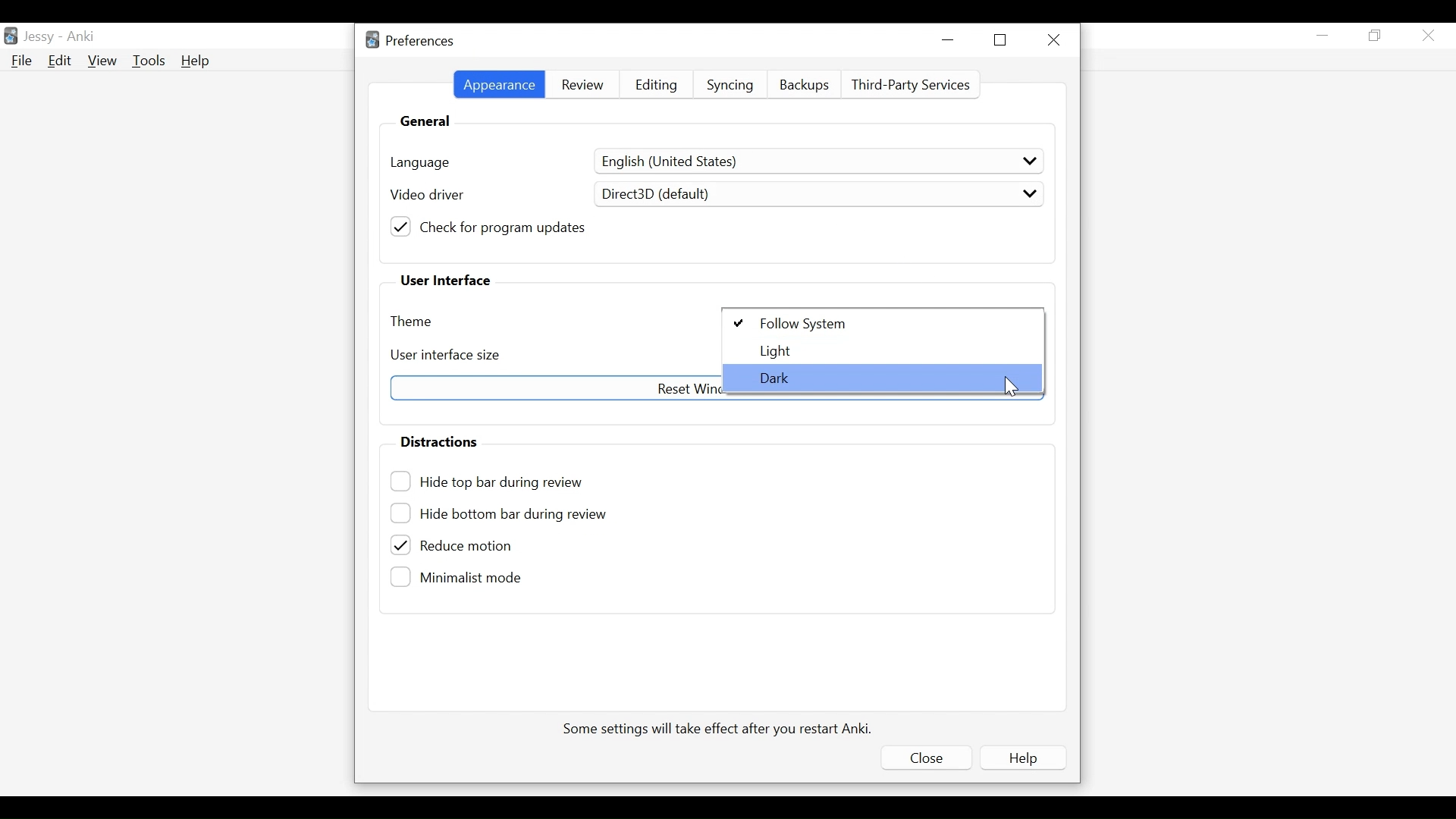 This screenshot has width=1456, height=819. I want to click on Close, so click(921, 760).